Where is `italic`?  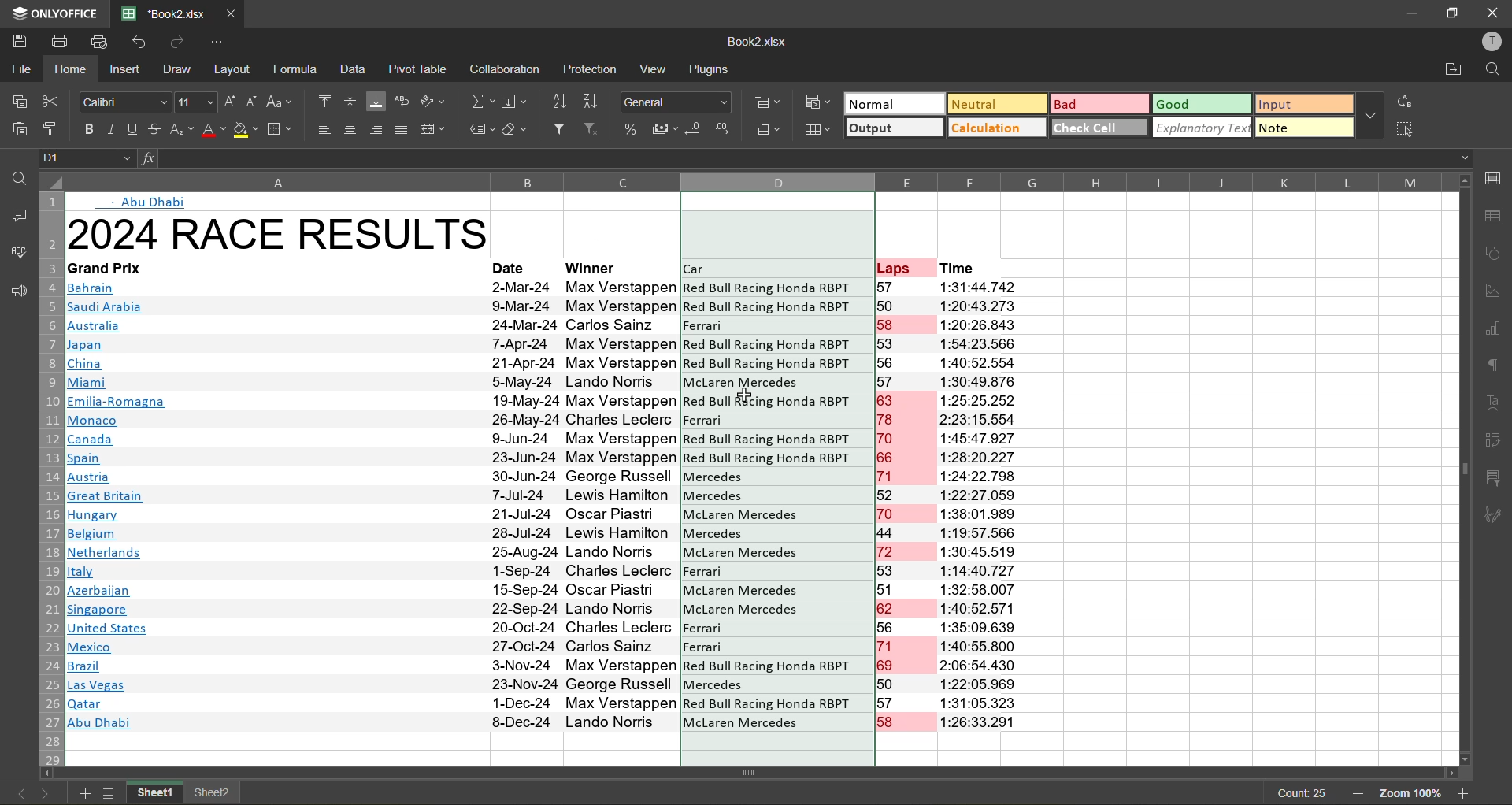
italic is located at coordinates (113, 130).